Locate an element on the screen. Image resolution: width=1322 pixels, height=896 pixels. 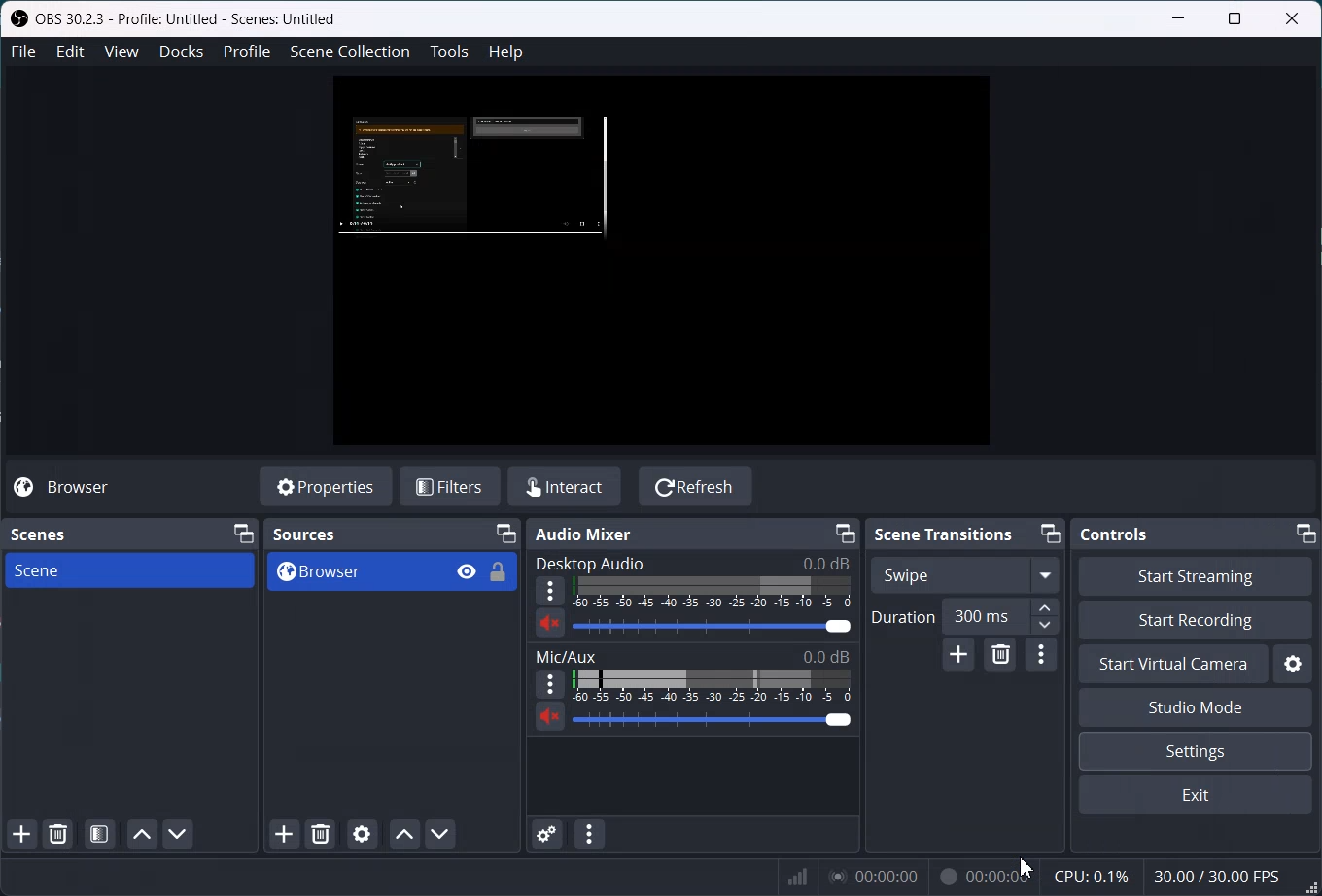
Maximize is located at coordinates (1235, 17).